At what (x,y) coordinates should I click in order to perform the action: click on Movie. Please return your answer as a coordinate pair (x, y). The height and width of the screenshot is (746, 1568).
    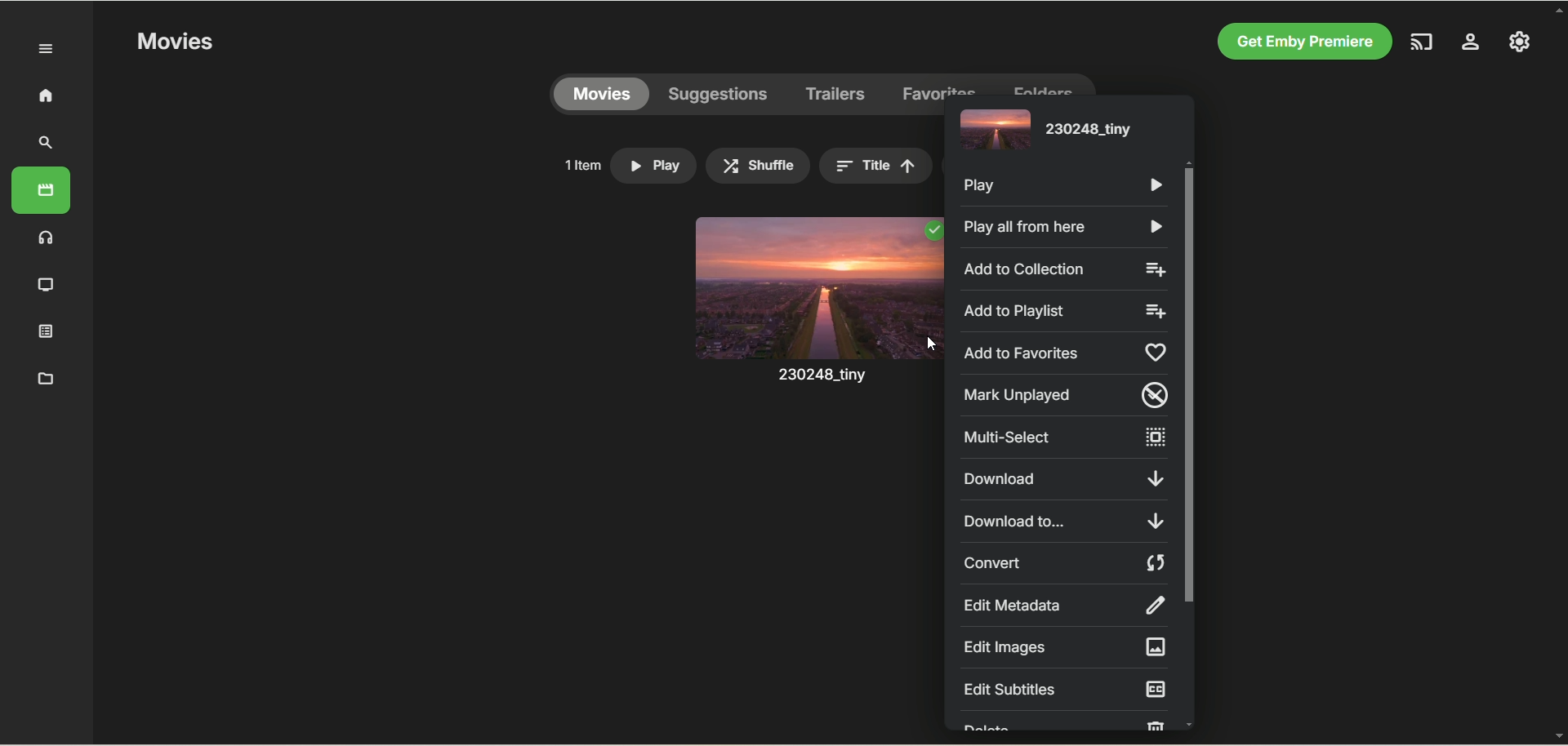
    Looking at the image, I should click on (816, 317).